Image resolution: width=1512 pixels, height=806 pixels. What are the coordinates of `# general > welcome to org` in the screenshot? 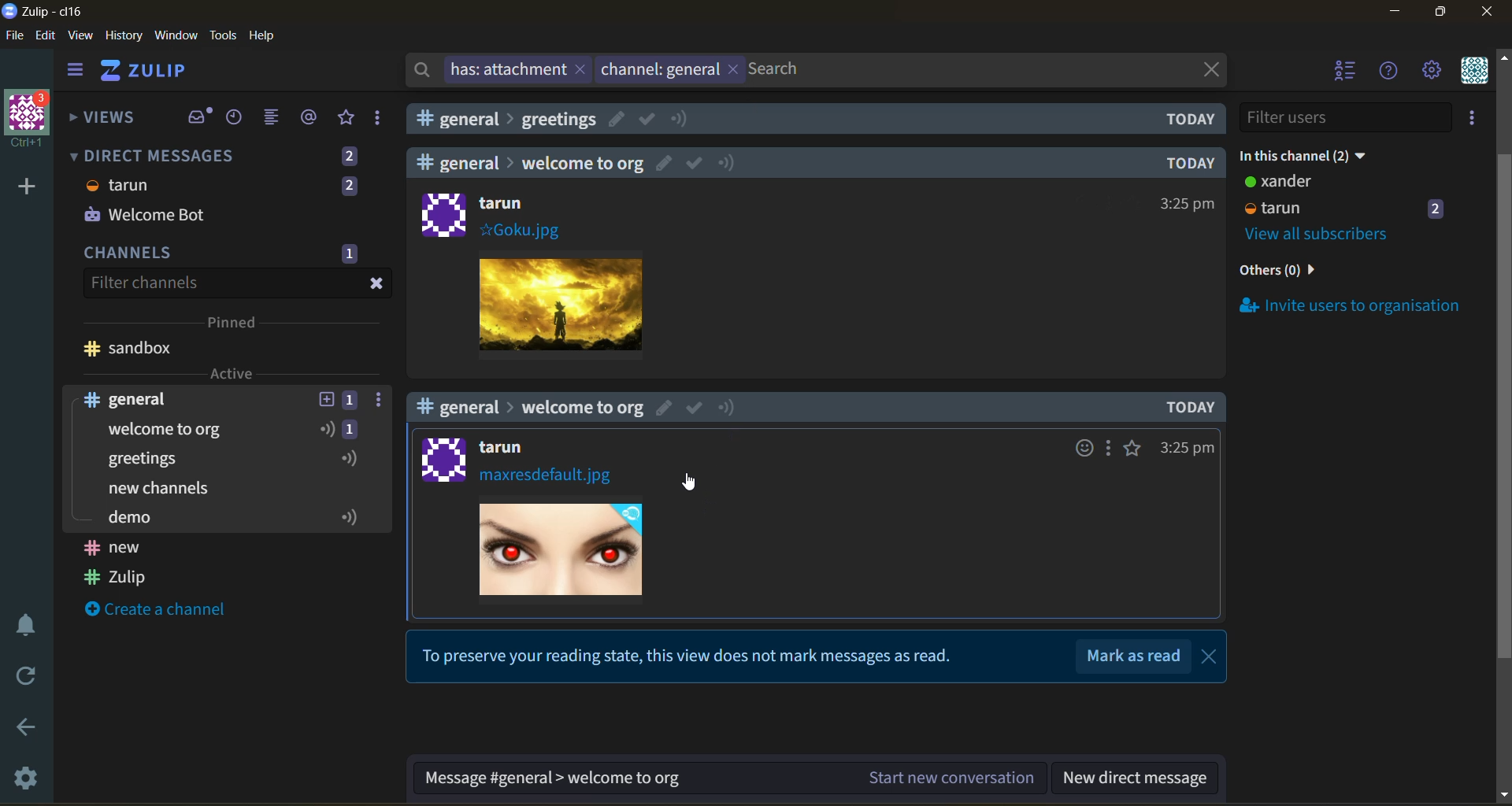 It's located at (528, 405).